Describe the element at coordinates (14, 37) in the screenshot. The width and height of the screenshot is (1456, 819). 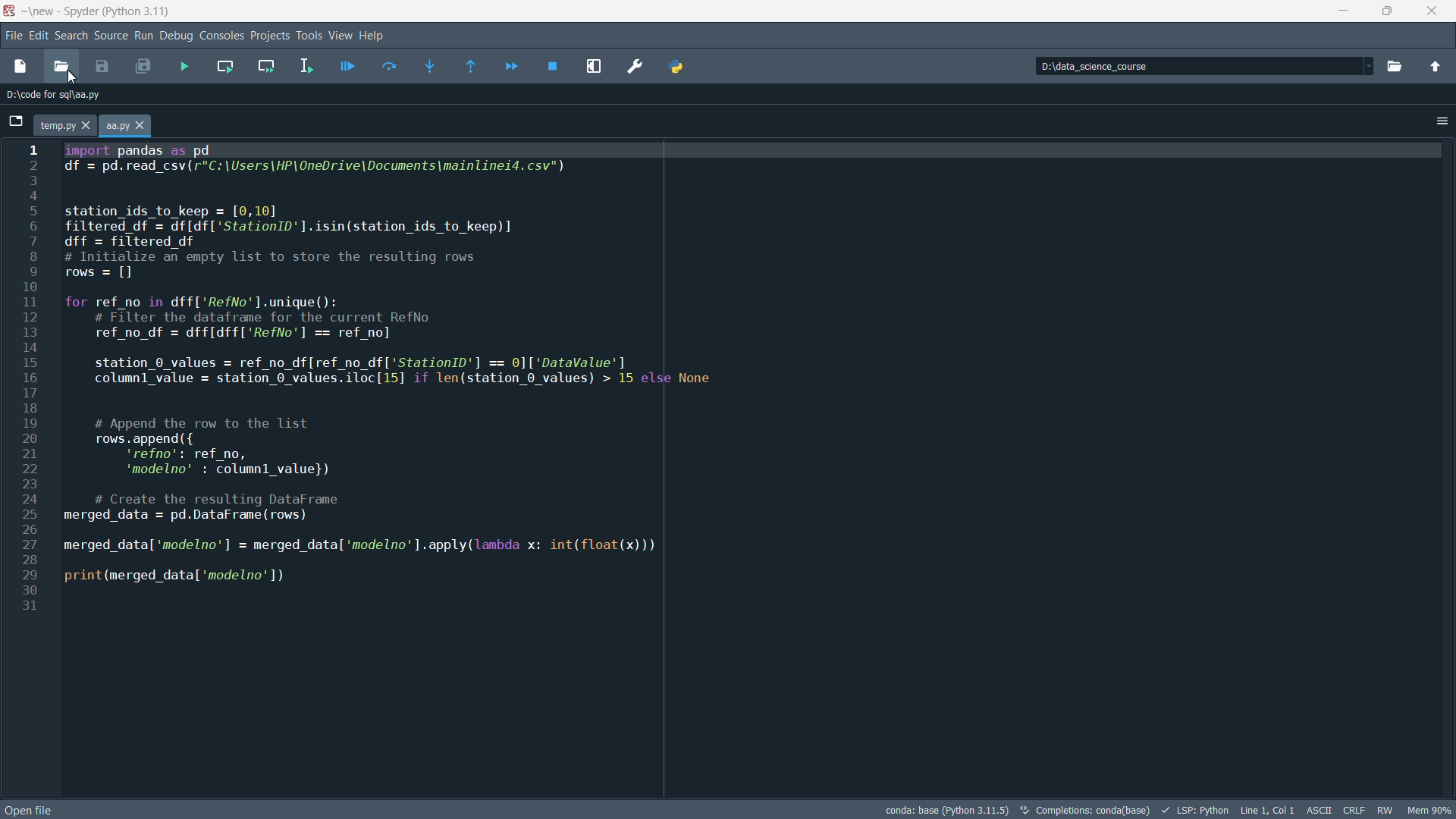
I see `file menu` at that location.